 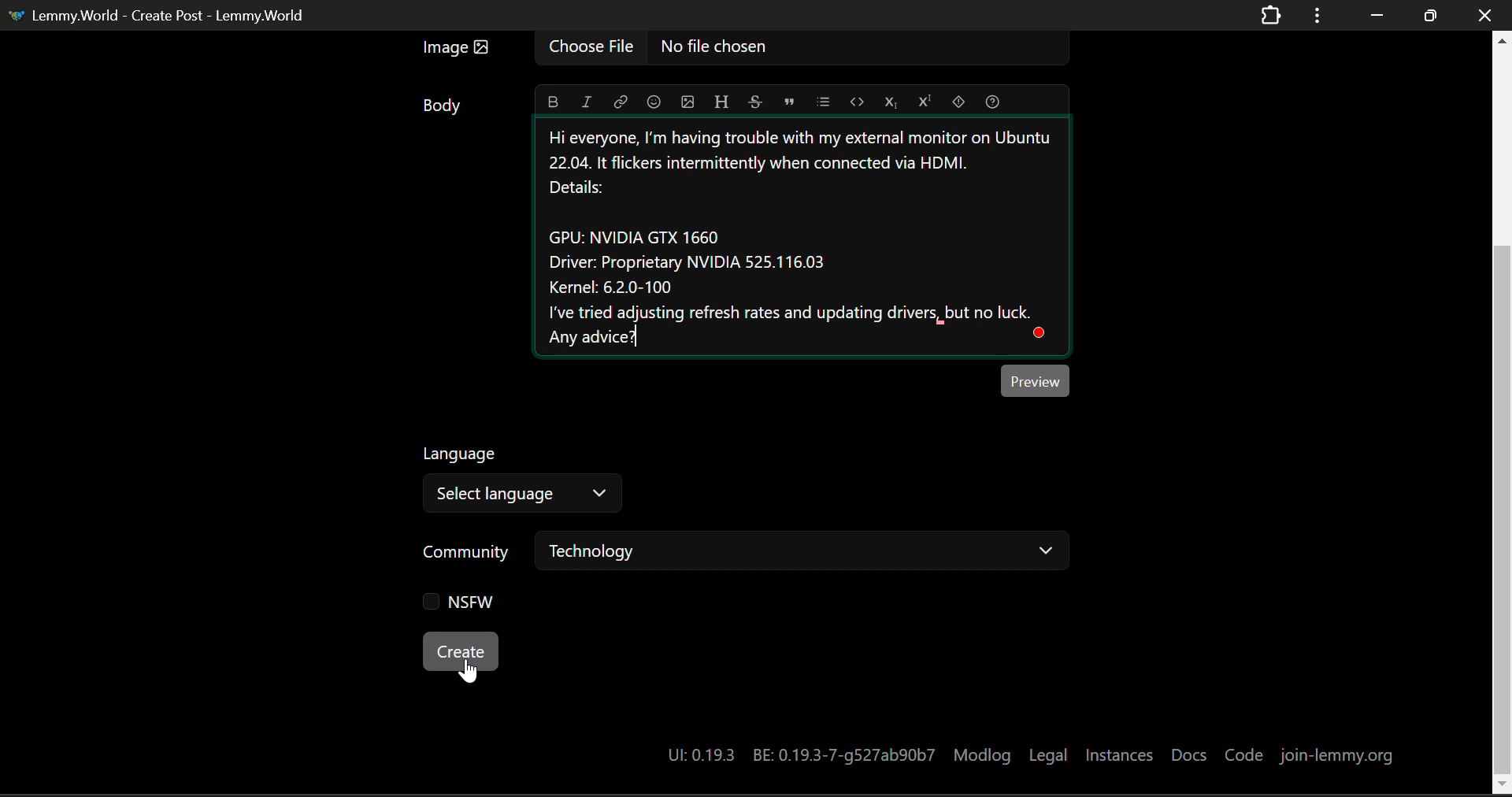 What do you see at coordinates (620, 101) in the screenshot?
I see `Link` at bounding box center [620, 101].